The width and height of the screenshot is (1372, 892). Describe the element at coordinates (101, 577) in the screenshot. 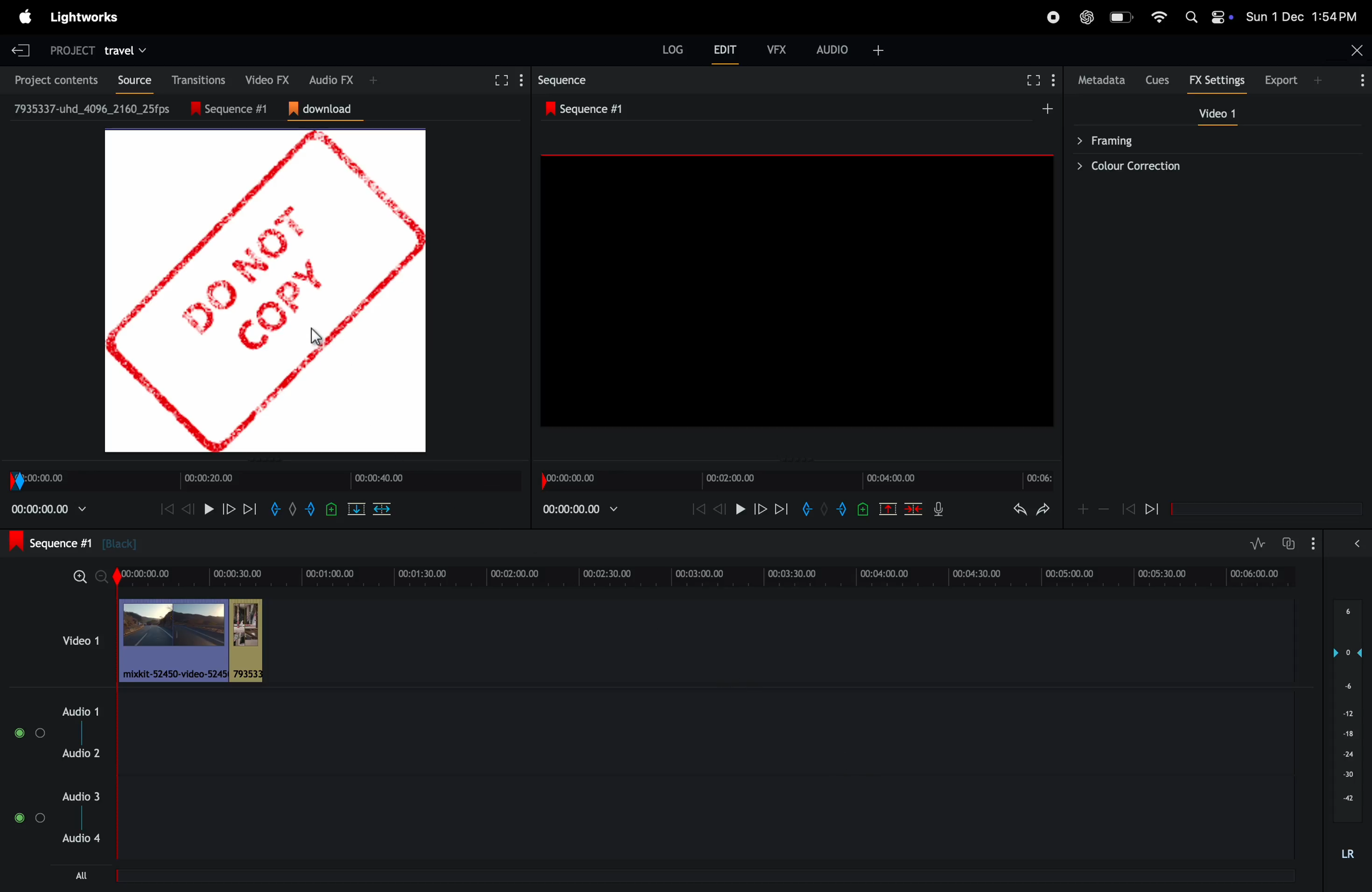

I see `Zoom out` at that location.